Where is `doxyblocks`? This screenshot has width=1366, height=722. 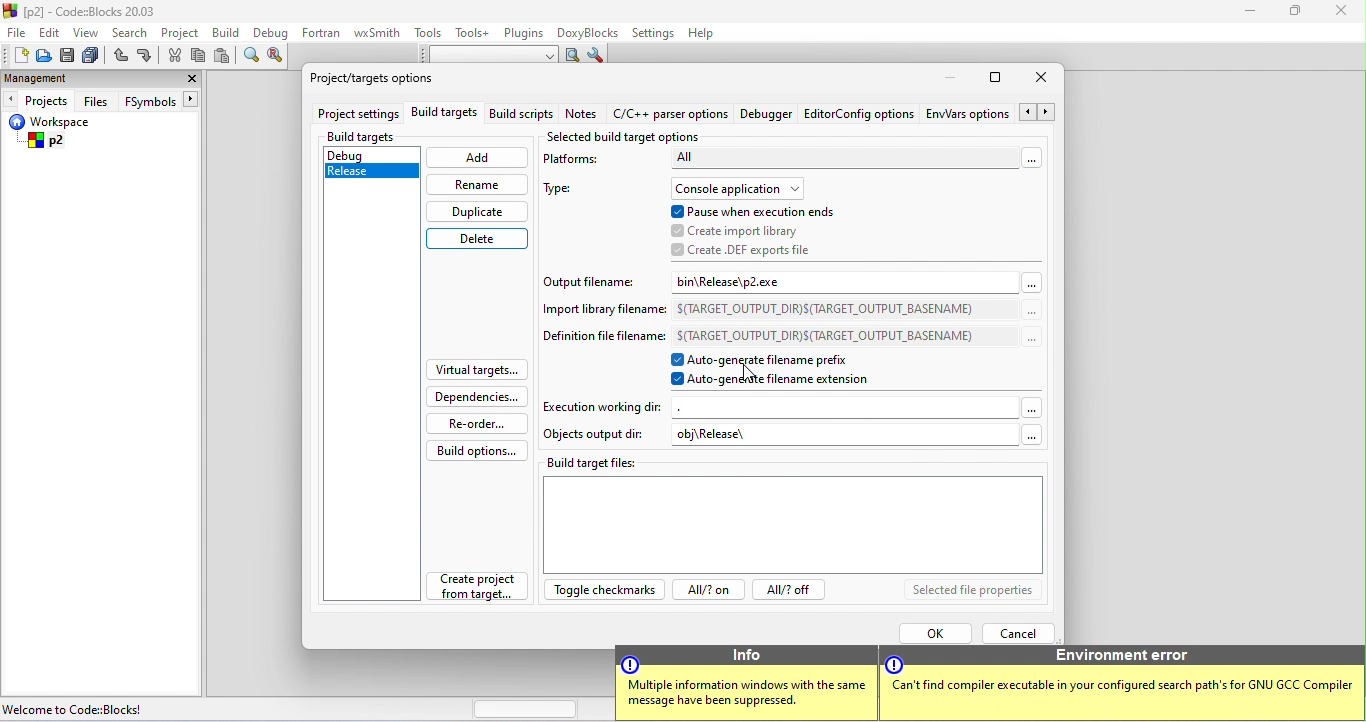 doxyblocks is located at coordinates (591, 32).